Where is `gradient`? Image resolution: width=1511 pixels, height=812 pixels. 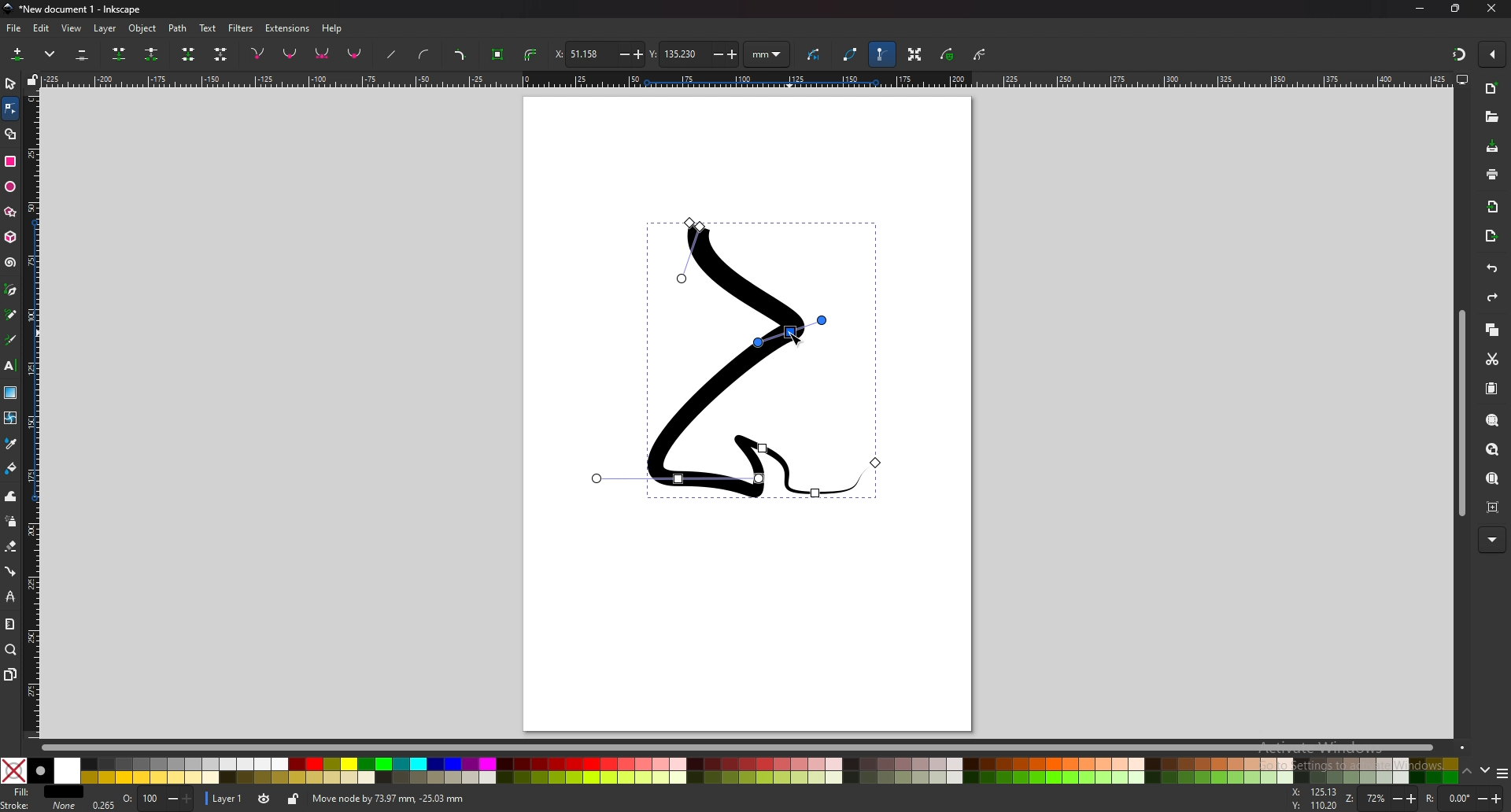
gradient is located at coordinates (10, 393).